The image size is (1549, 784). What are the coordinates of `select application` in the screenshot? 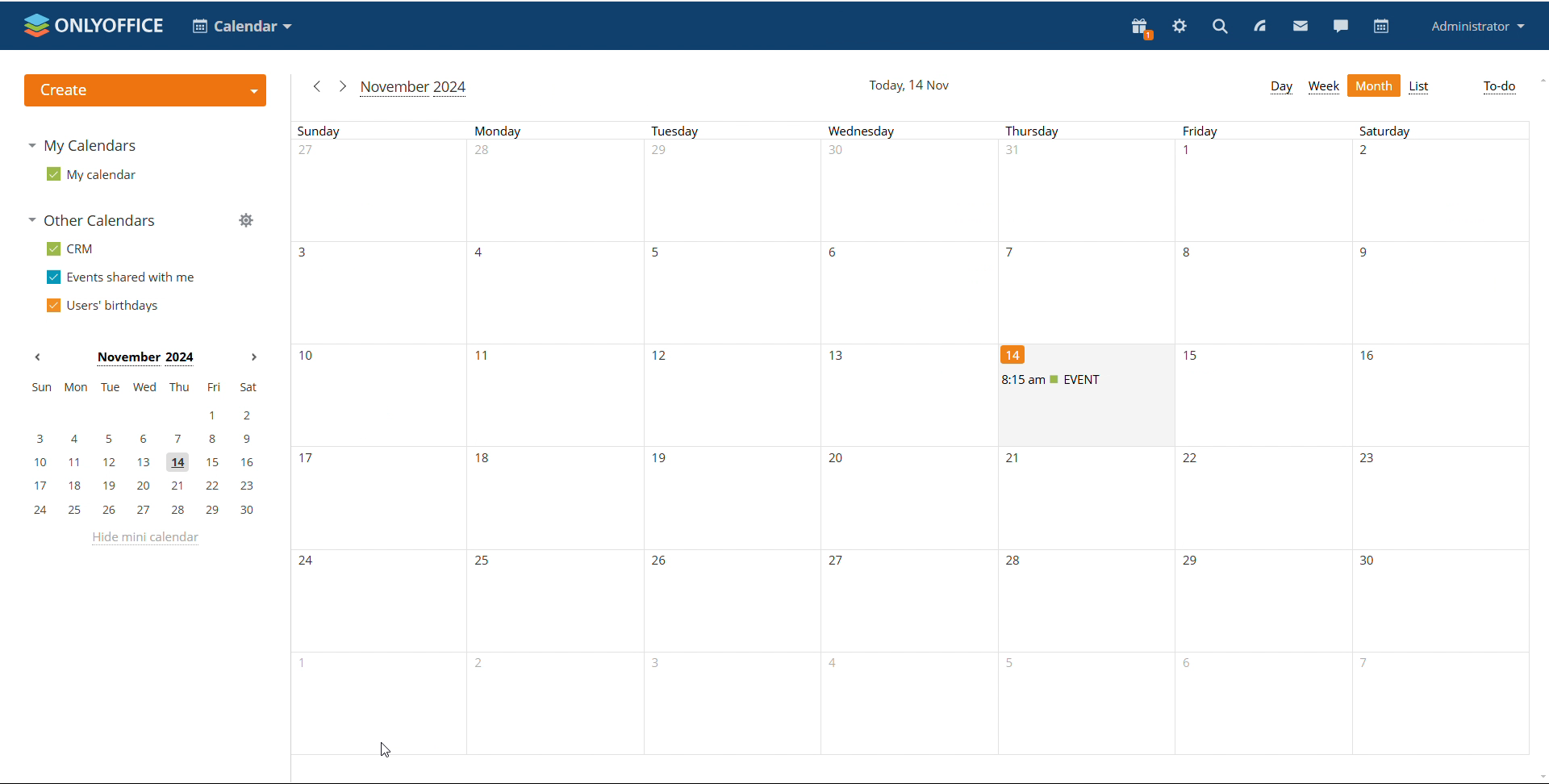 It's located at (240, 27).